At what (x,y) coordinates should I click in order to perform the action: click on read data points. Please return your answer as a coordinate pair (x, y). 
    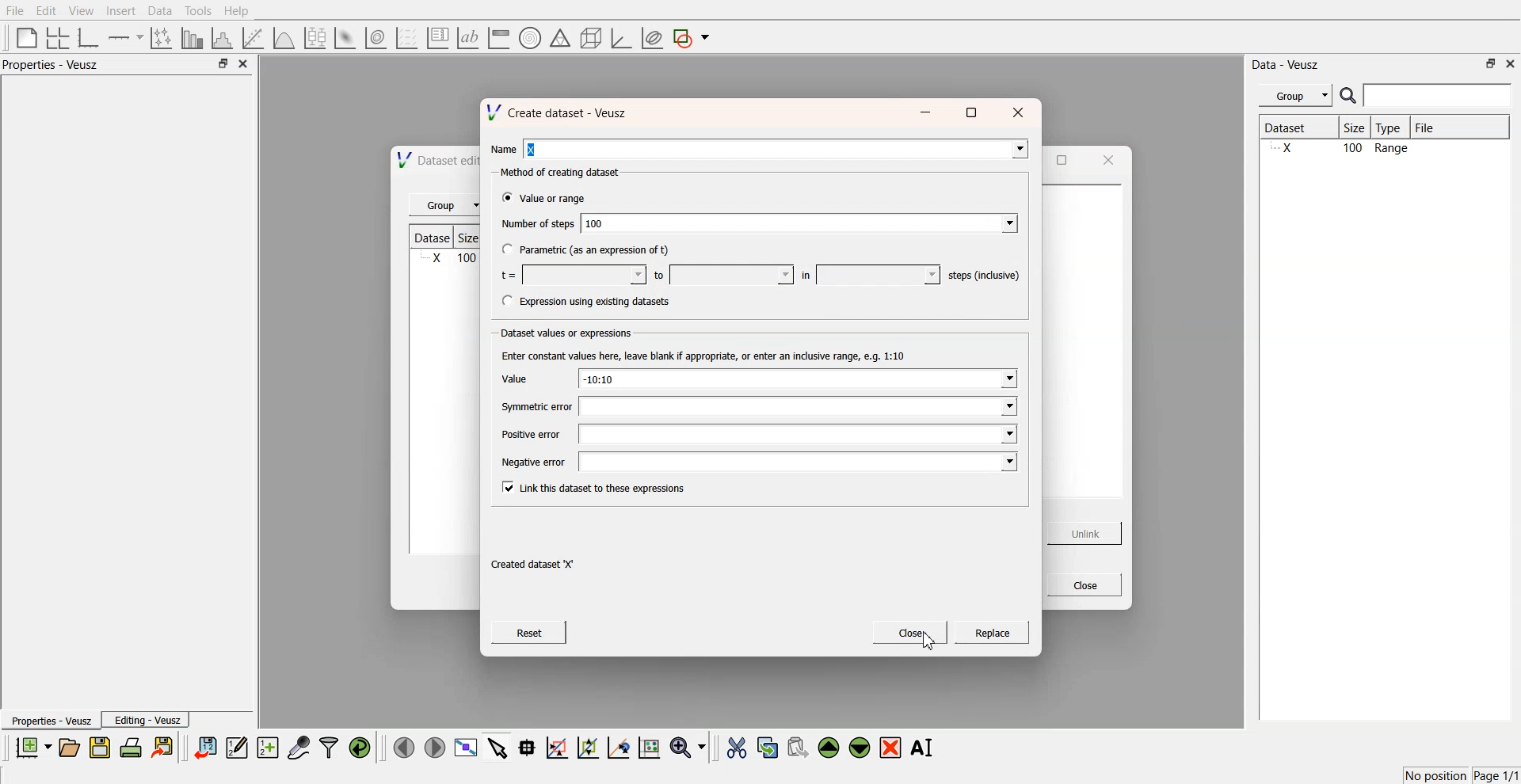
    Looking at the image, I should click on (527, 748).